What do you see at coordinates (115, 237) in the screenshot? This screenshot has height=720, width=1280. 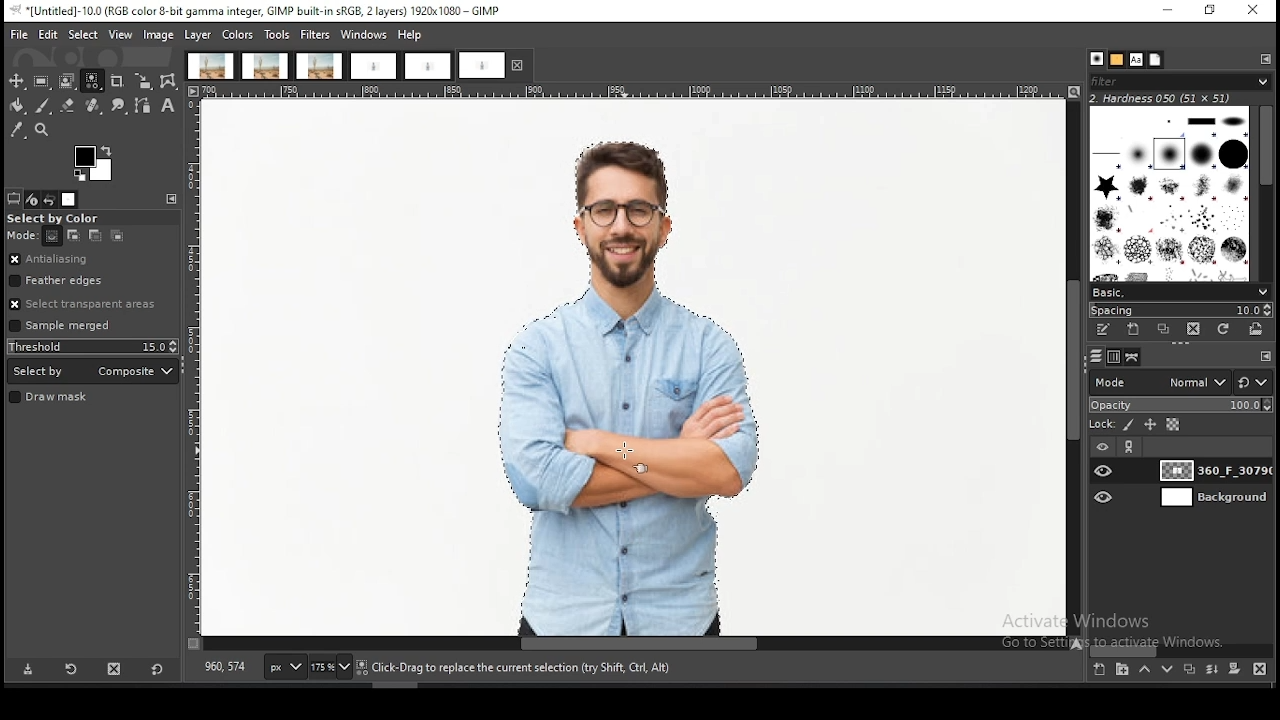 I see `intersect with the current selection` at bounding box center [115, 237].